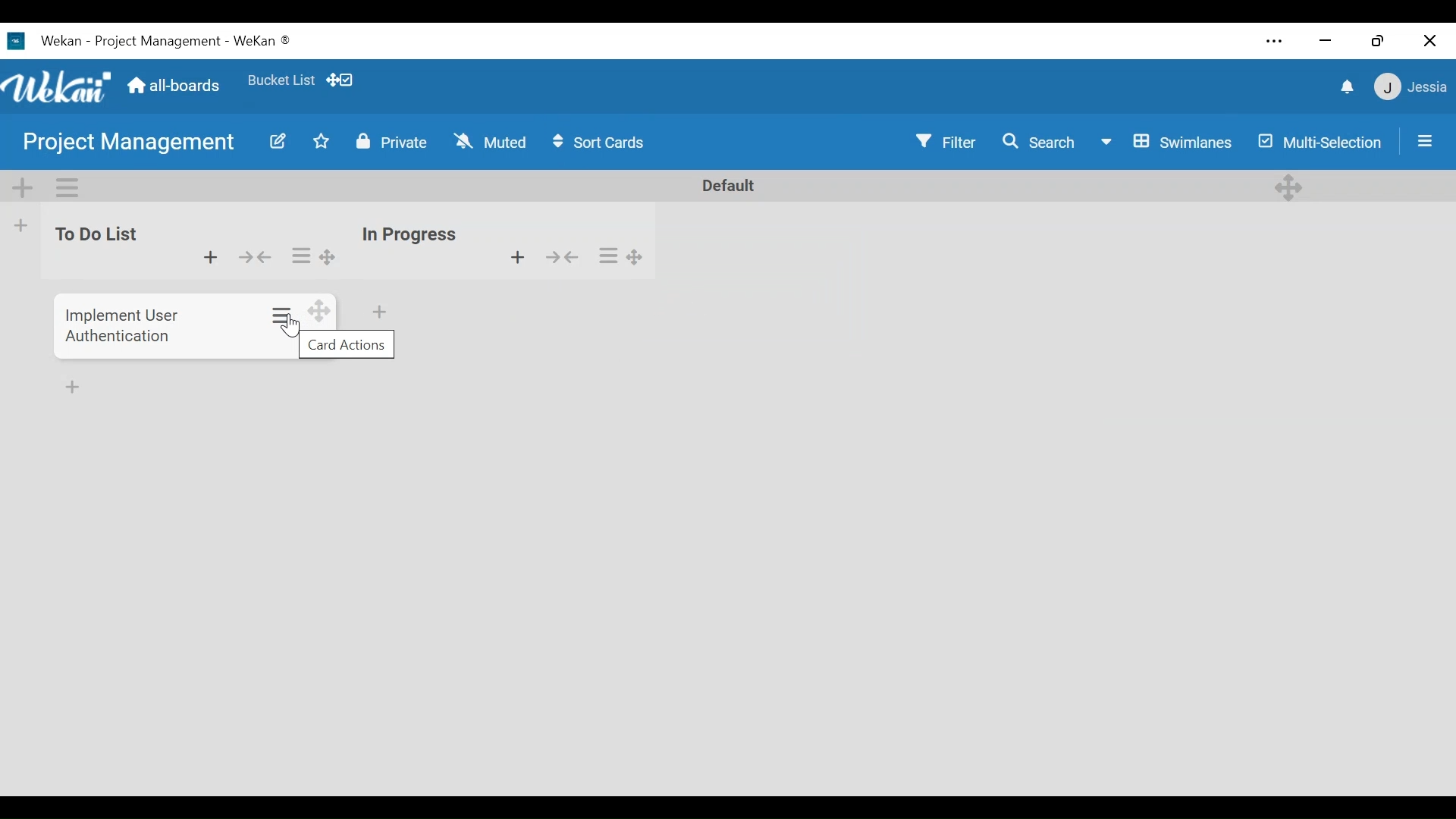 This screenshot has width=1456, height=819. Describe the element at coordinates (570, 260) in the screenshot. I see `show/hide` at that location.